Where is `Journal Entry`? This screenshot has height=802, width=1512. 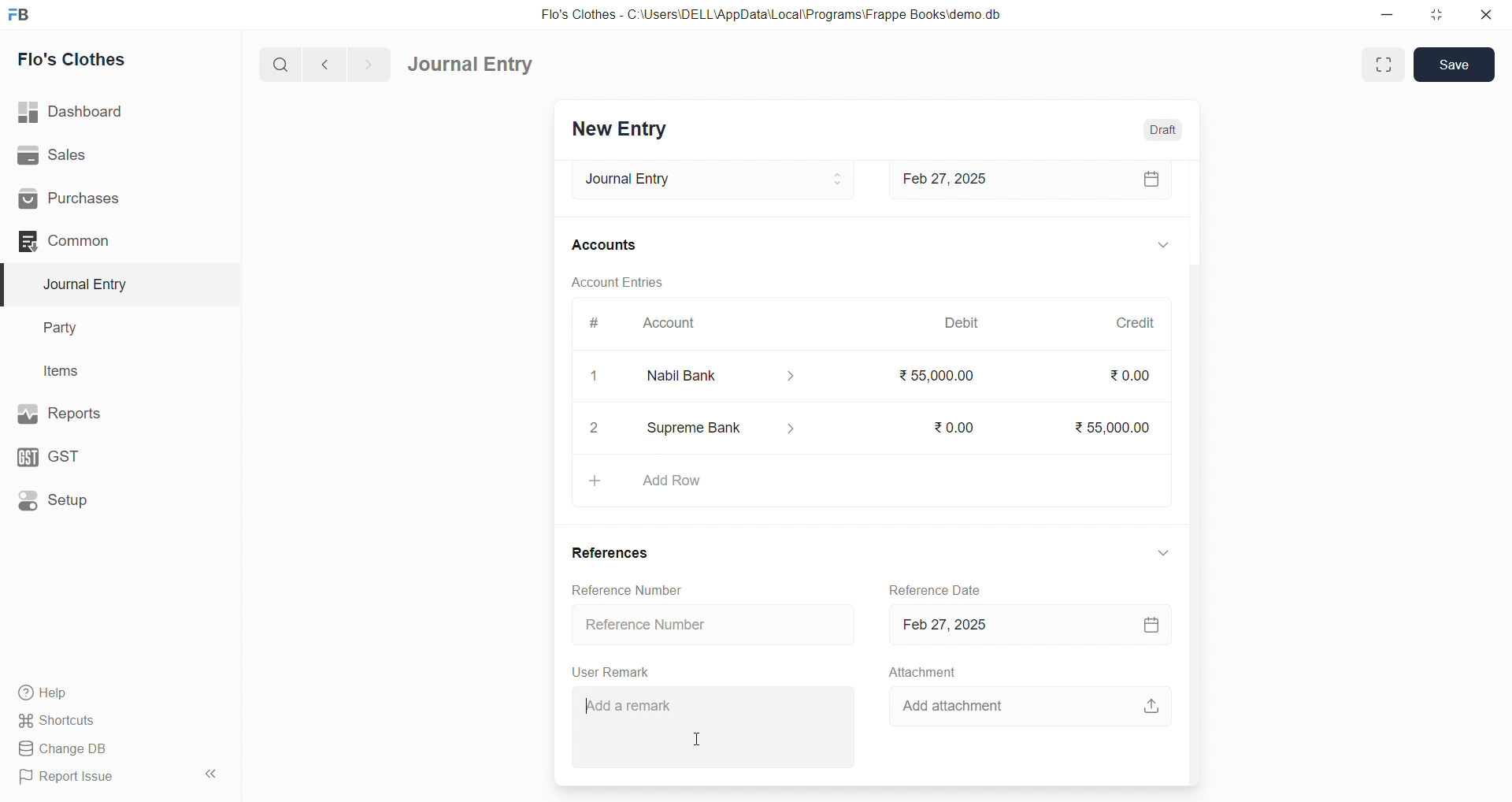
Journal Entry is located at coordinates (90, 284).